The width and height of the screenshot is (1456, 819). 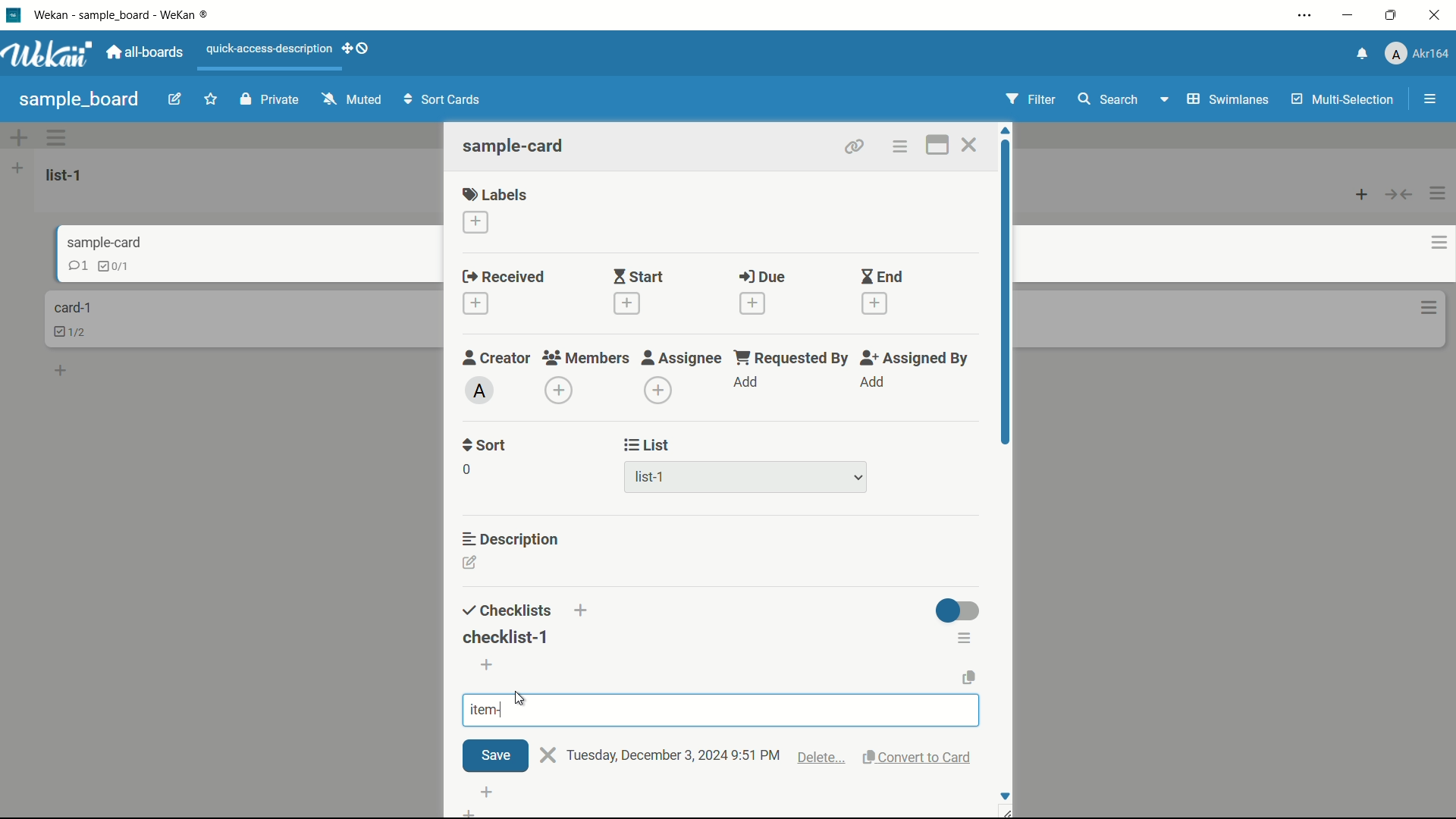 I want to click on received, so click(x=504, y=276).